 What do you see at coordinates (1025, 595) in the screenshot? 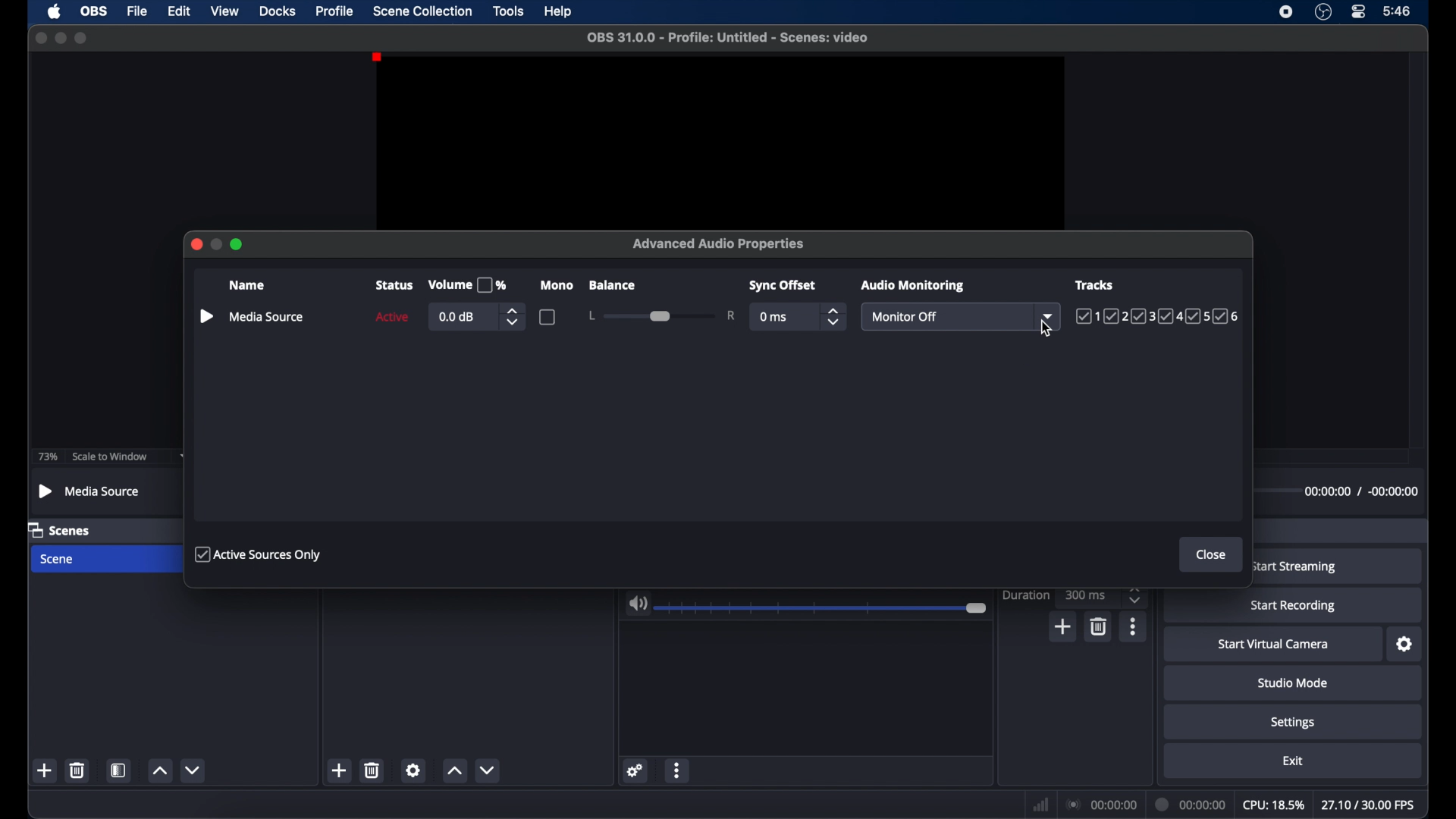
I see `duration` at bounding box center [1025, 595].